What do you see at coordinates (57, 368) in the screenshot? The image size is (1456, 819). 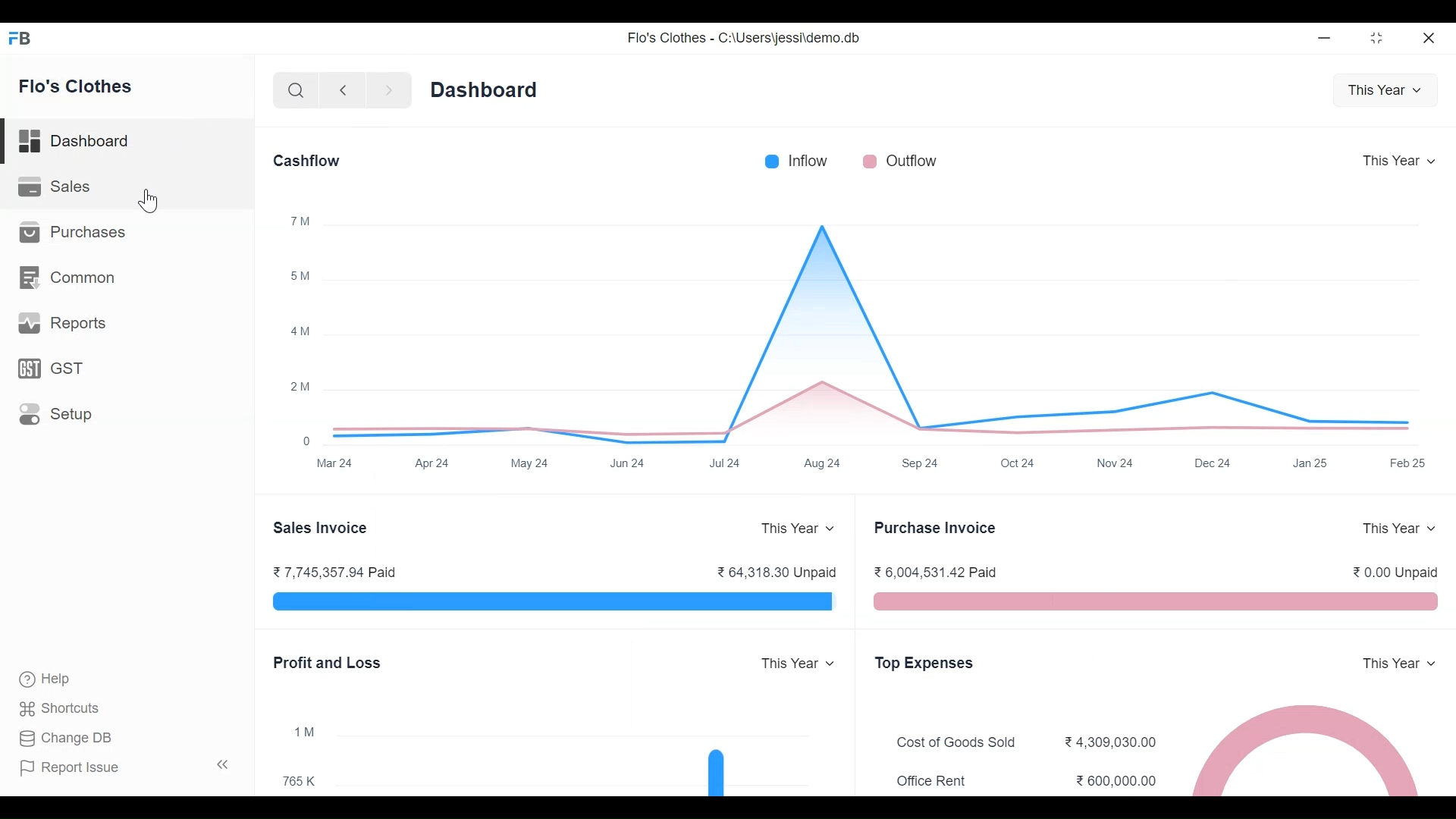 I see `GST` at bounding box center [57, 368].